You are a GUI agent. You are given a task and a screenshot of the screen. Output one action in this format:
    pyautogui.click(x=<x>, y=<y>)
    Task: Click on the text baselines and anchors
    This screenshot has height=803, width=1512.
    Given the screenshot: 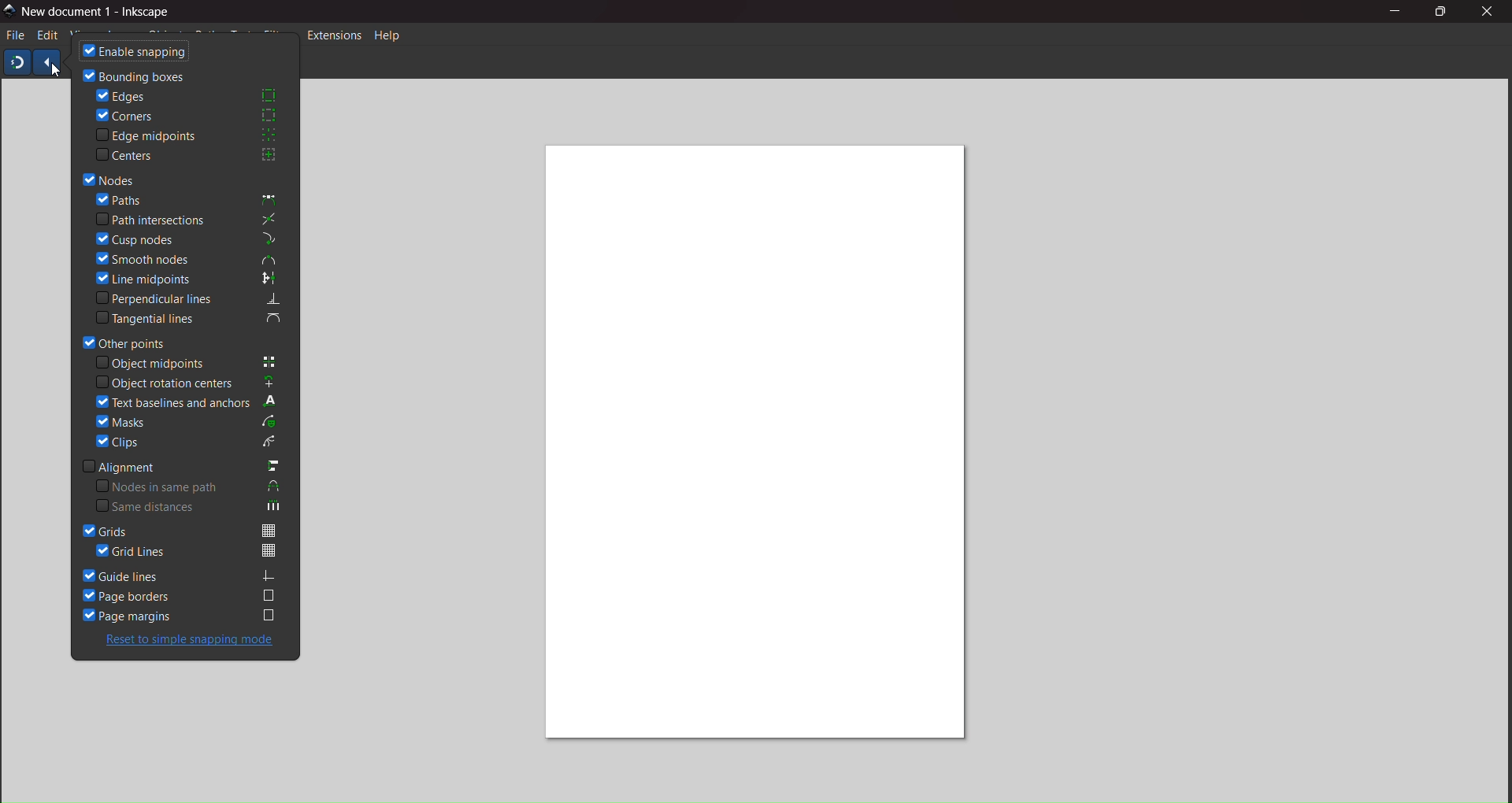 What is the action you would take?
    pyautogui.click(x=182, y=401)
    